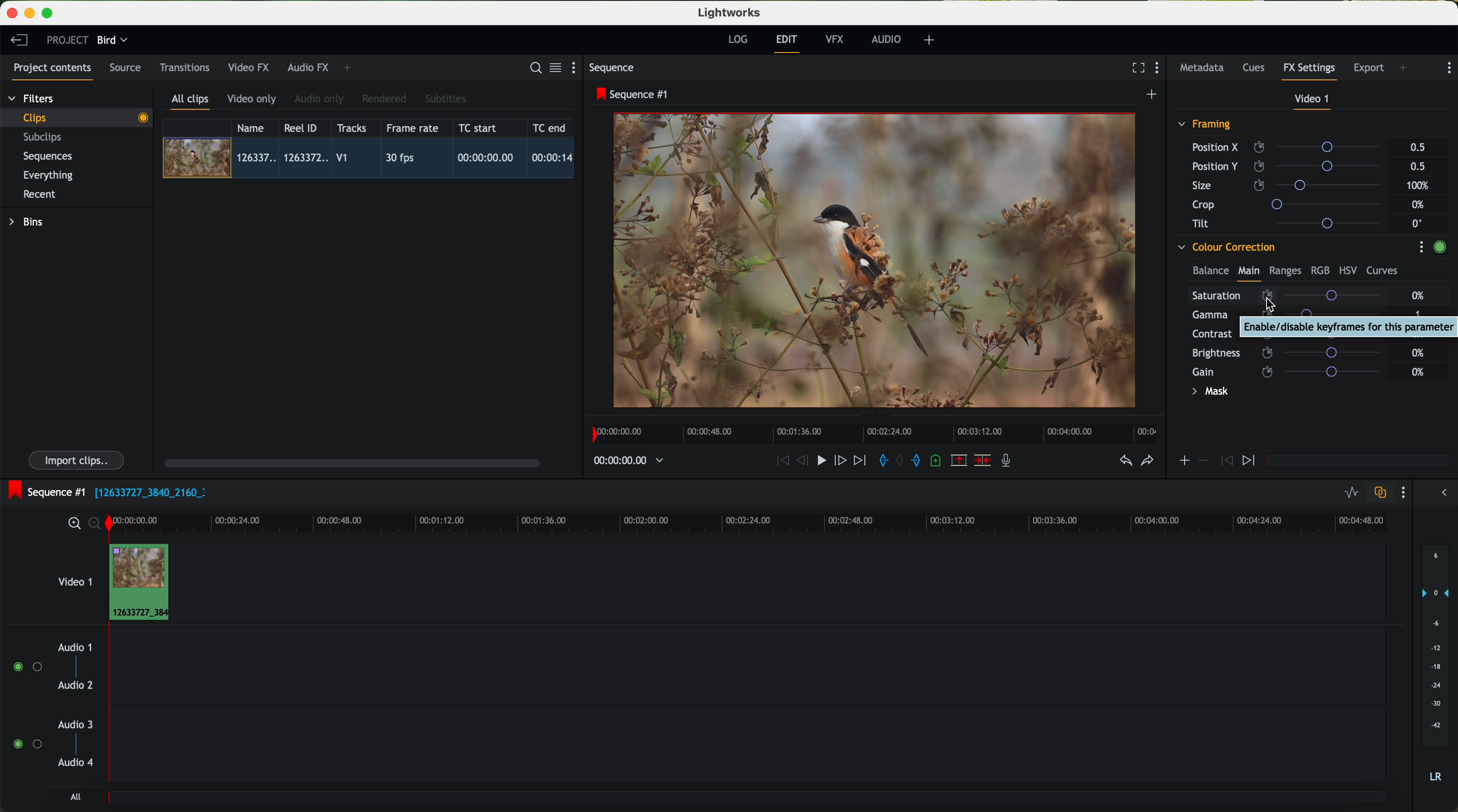 The image size is (1458, 812). Describe the element at coordinates (45, 138) in the screenshot. I see `subclips` at that location.